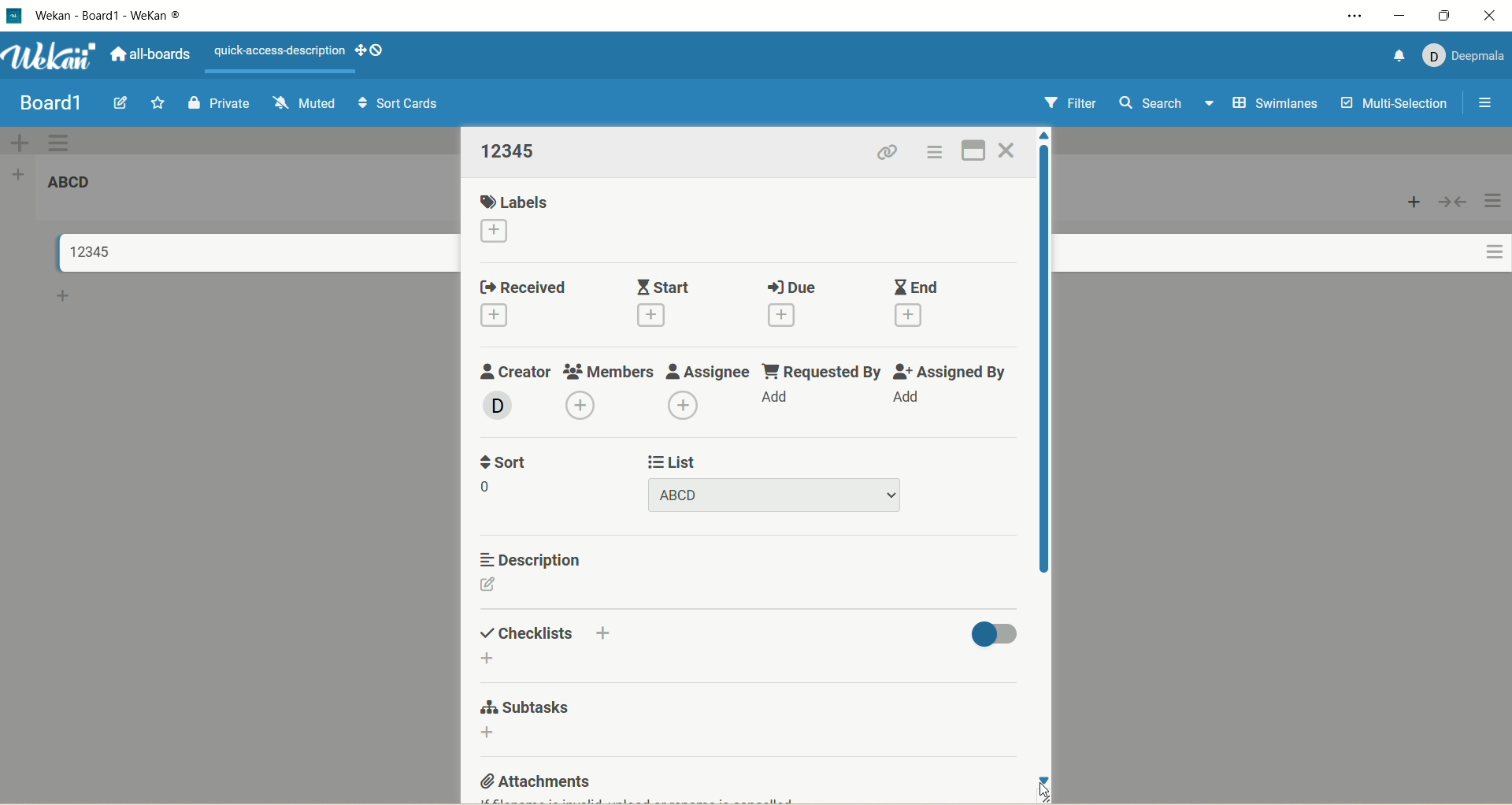 The image size is (1512, 805). What do you see at coordinates (399, 106) in the screenshot?
I see `sort cards` at bounding box center [399, 106].